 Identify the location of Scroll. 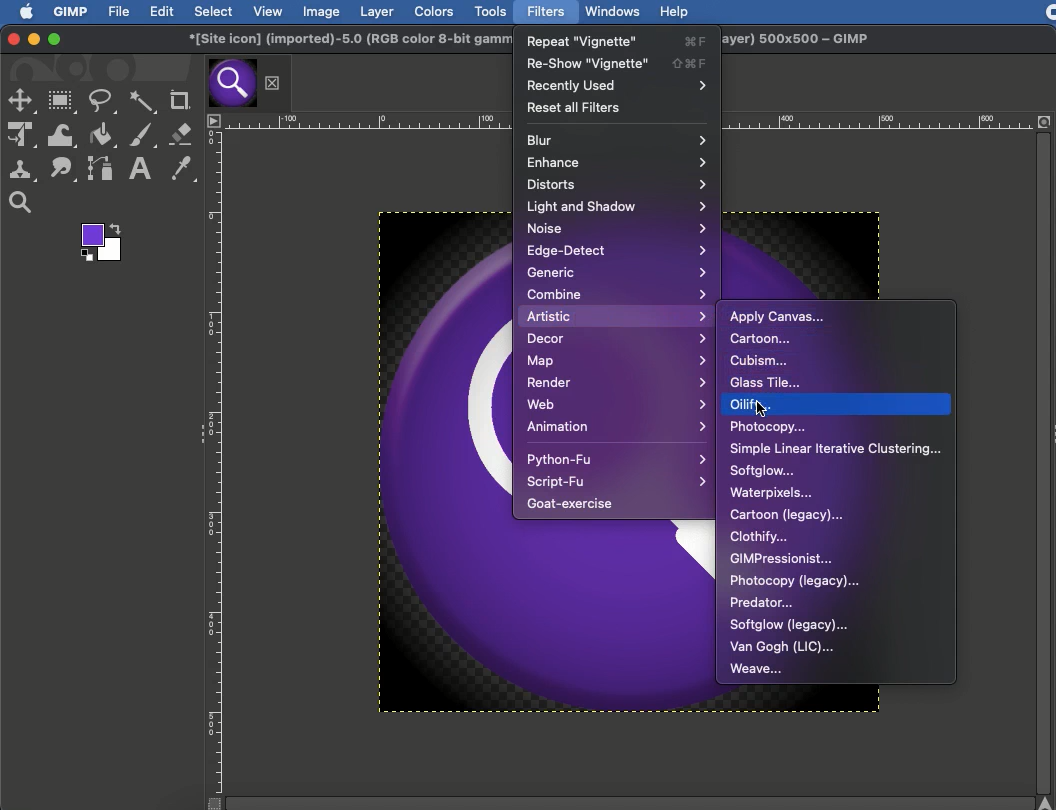
(617, 802).